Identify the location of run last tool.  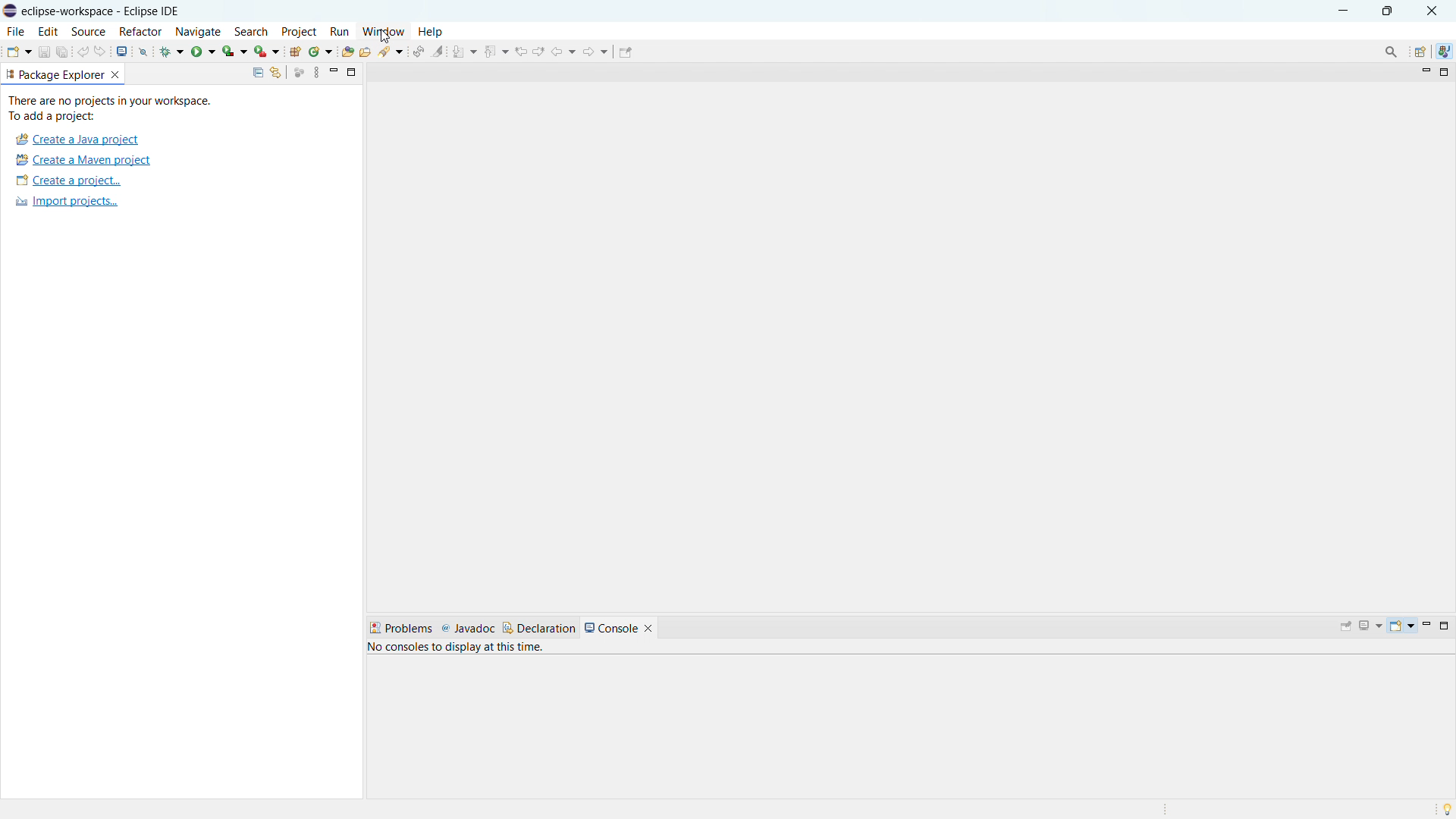
(265, 51).